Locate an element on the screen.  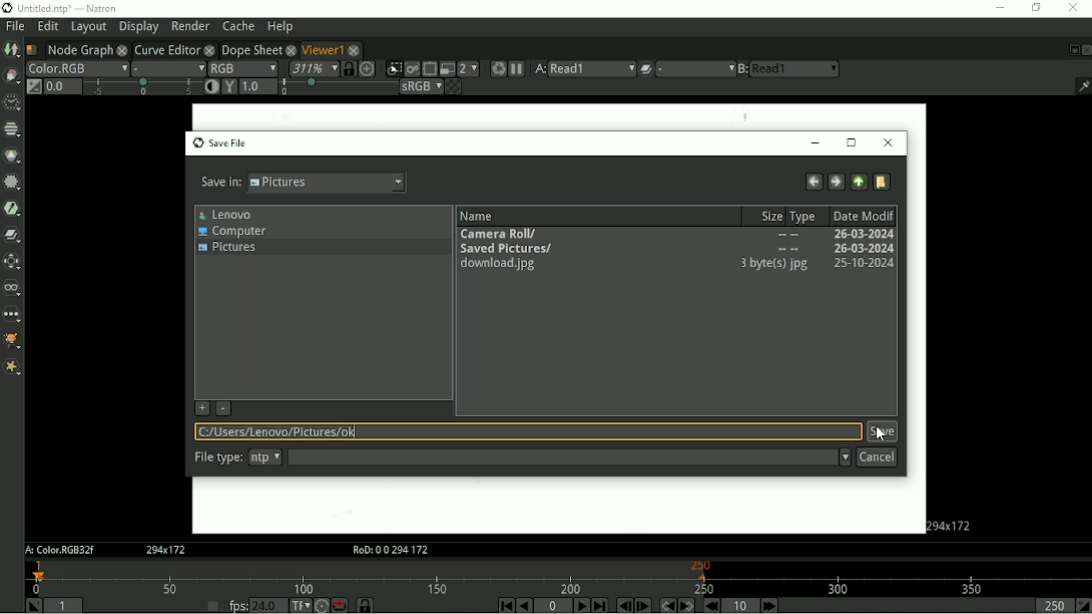
fps is located at coordinates (238, 606).